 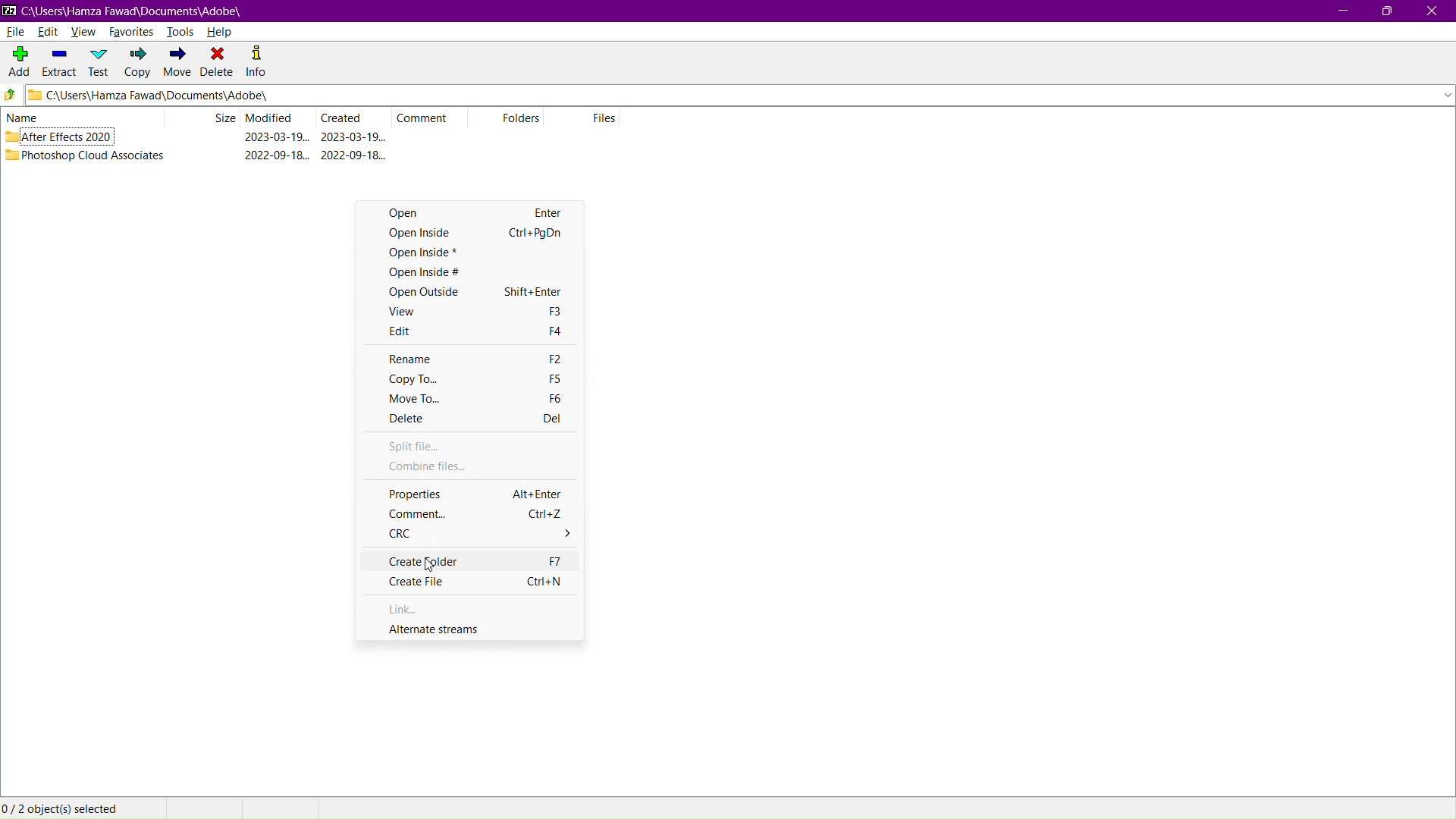 I want to click on After Effects 2020, so click(x=71, y=136).